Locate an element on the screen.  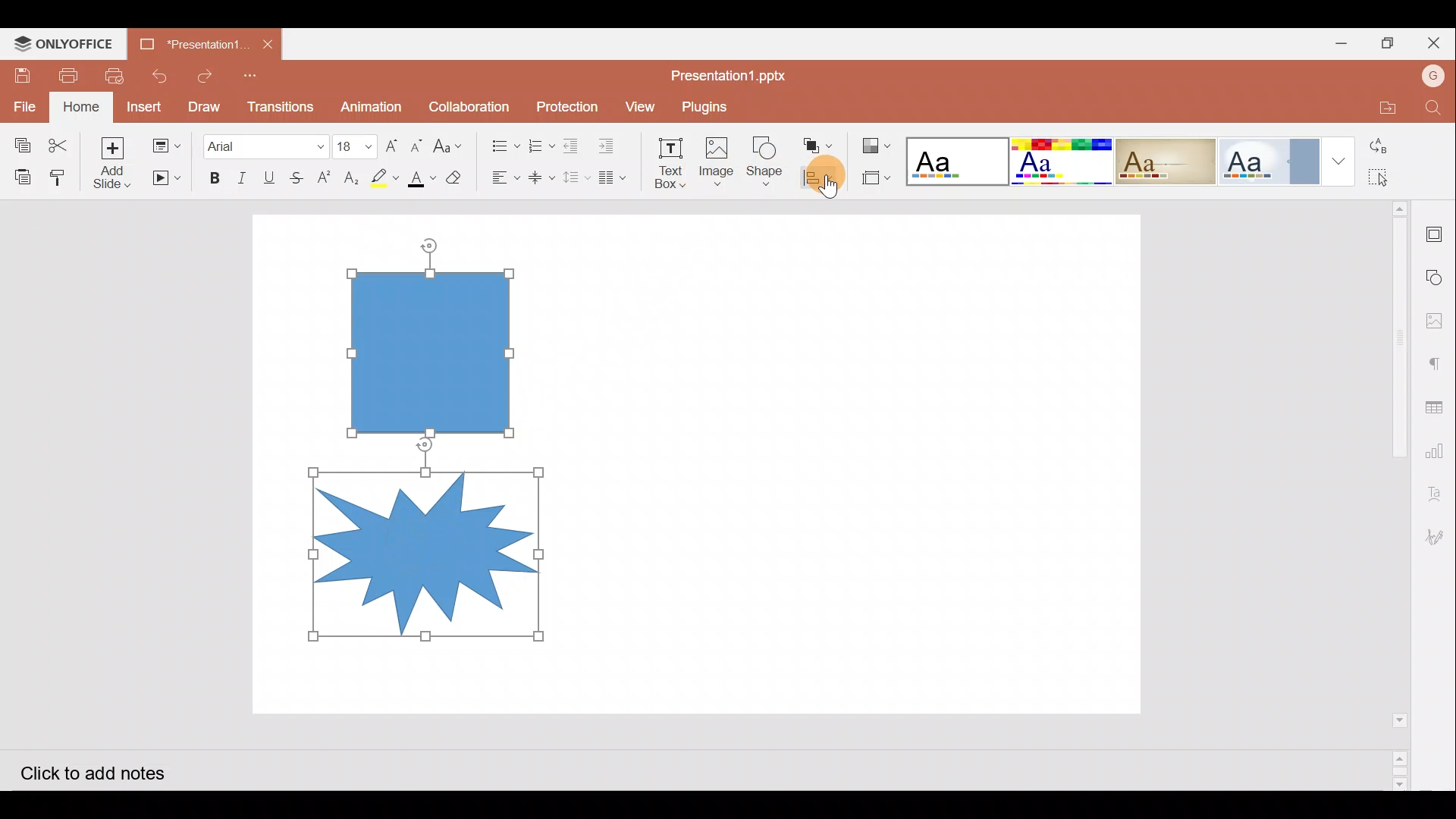
Click to add notes is located at coordinates (105, 772).